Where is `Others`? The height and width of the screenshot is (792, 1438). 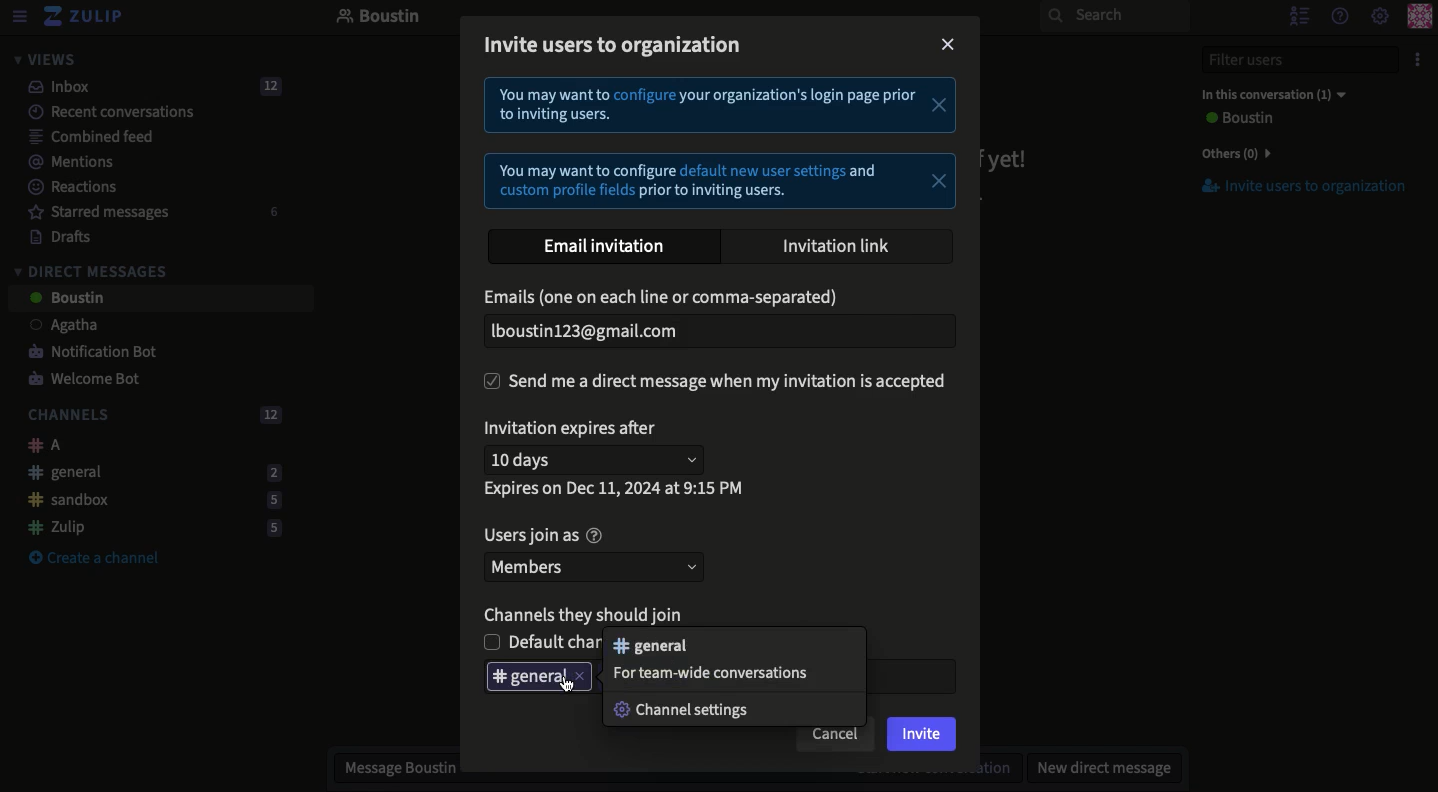
Others is located at coordinates (1232, 153).